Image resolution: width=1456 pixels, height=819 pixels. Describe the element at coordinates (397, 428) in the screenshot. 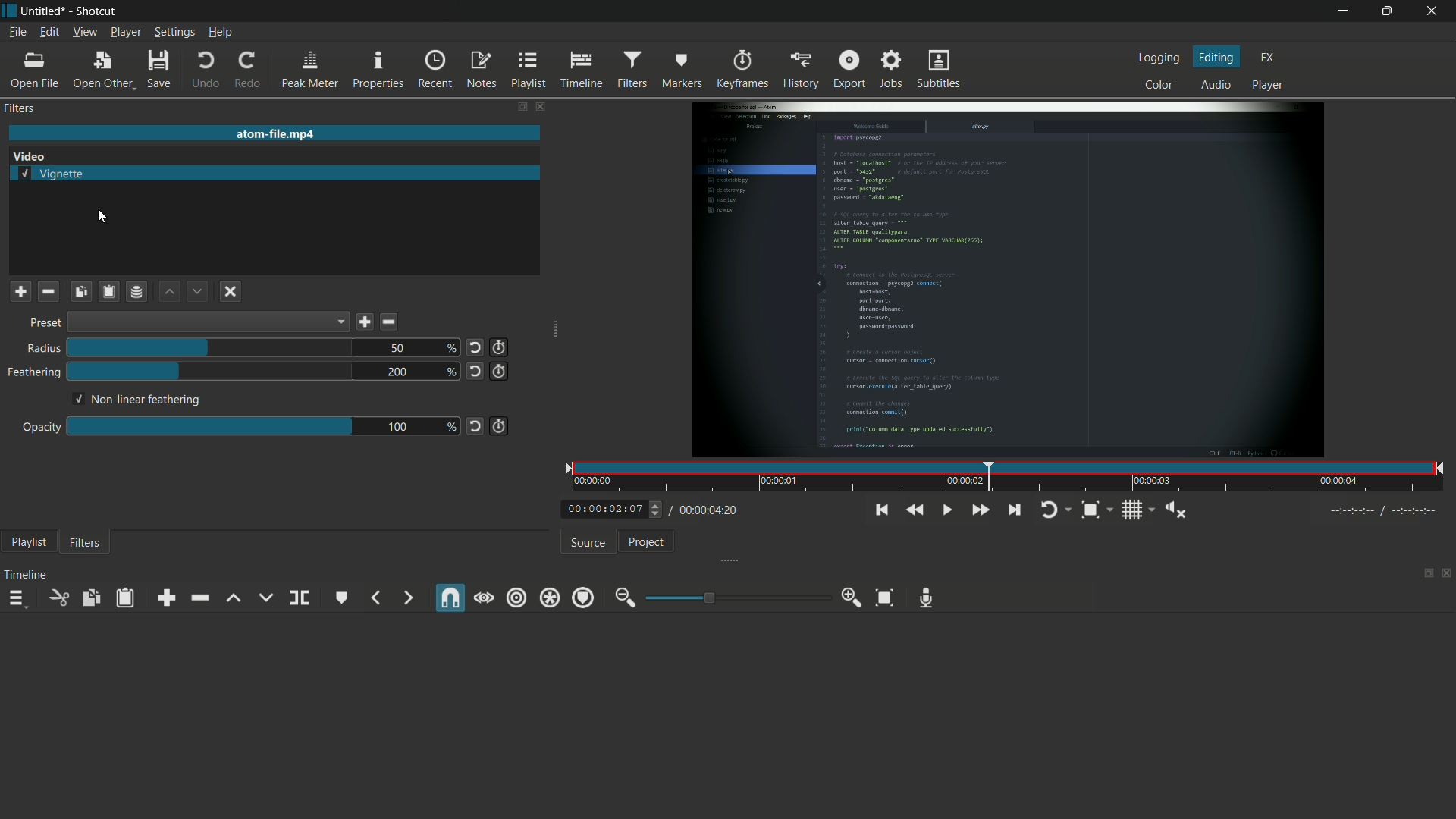

I see `100` at that location.